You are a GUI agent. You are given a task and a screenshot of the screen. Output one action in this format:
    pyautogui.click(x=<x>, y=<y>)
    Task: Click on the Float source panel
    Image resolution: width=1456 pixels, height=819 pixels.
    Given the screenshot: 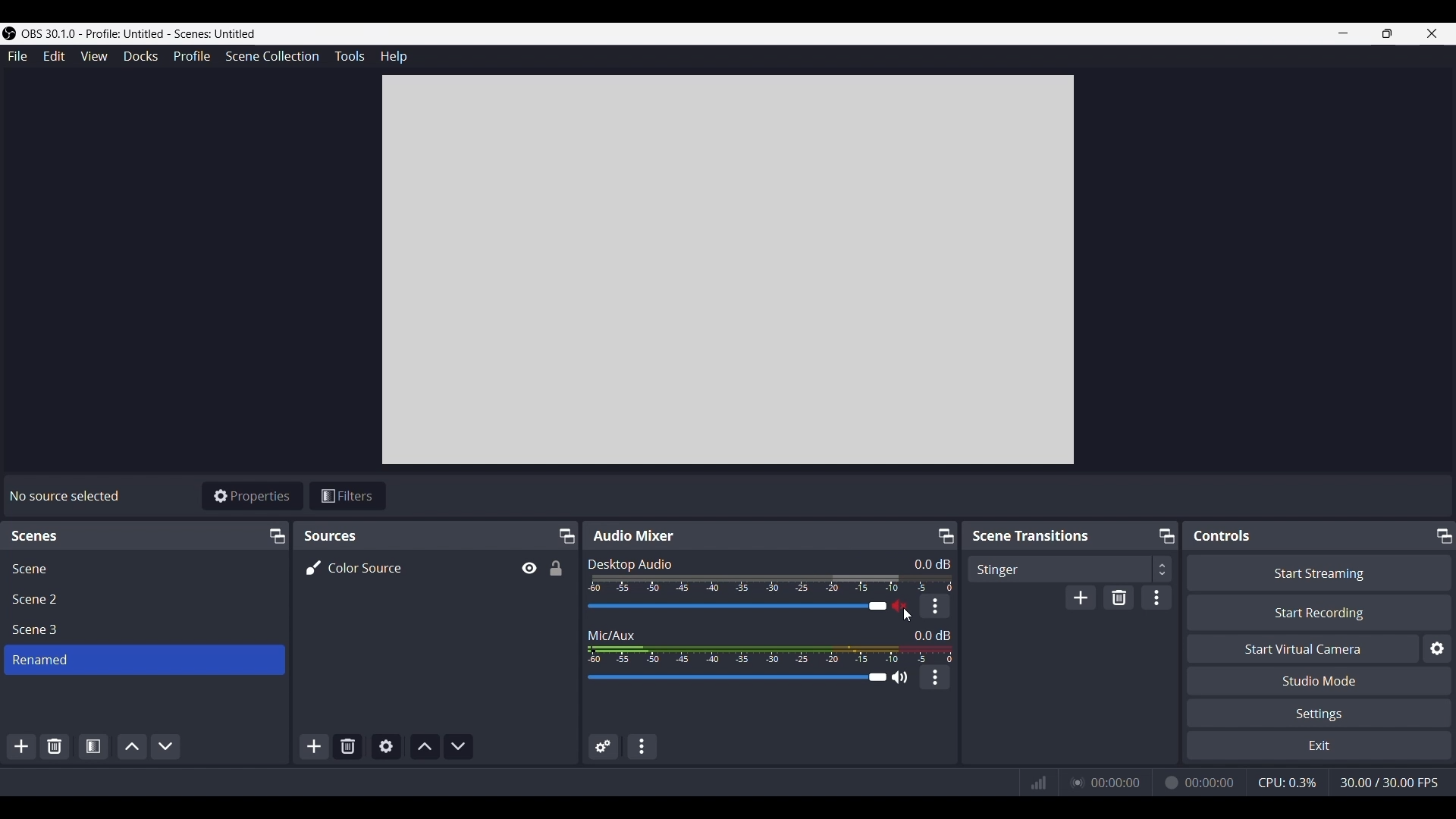 What is the action you would take?
    pyautogui.click(x=276, y=537)
    